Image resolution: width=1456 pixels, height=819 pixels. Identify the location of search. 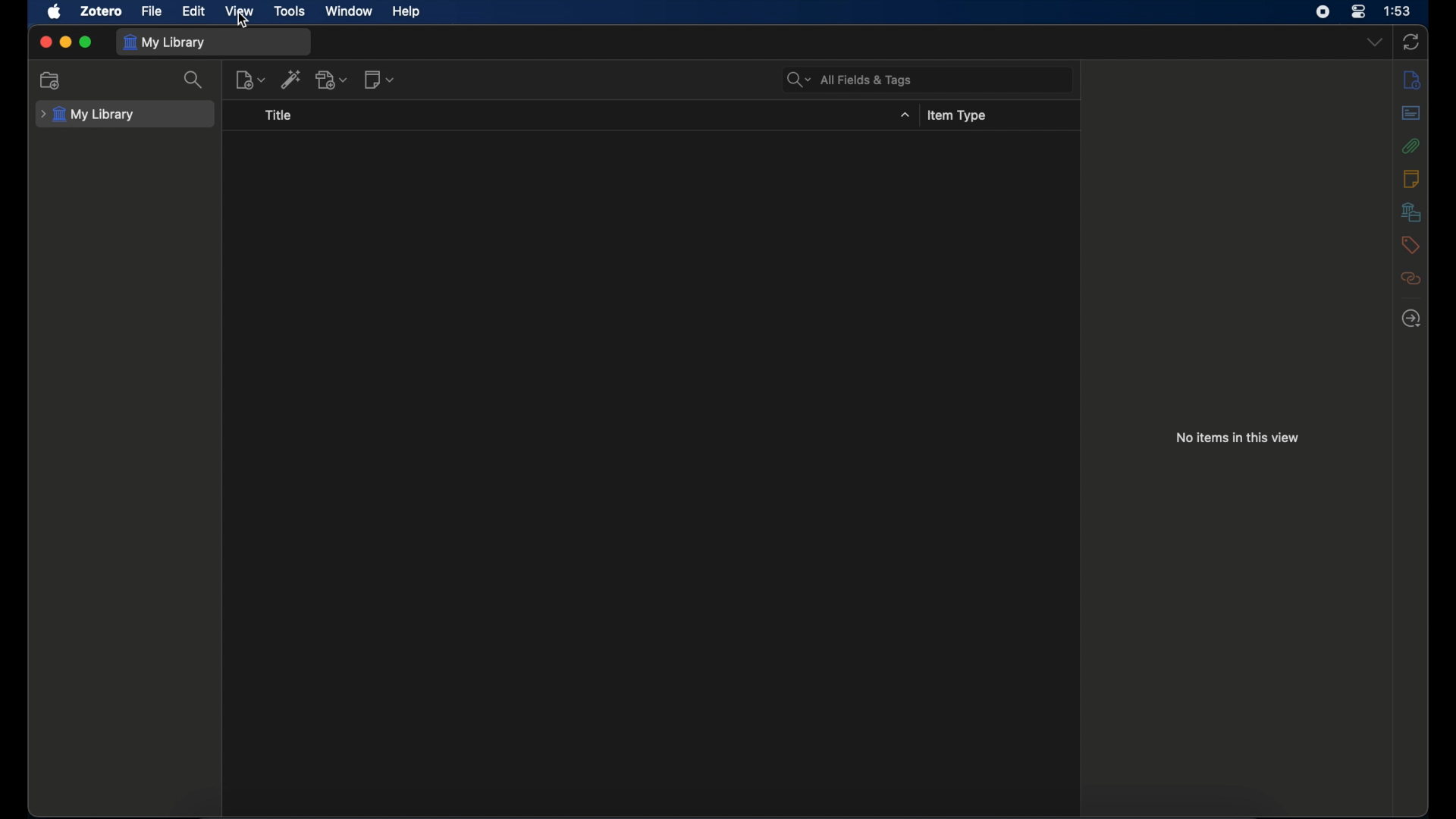
(194, 80).